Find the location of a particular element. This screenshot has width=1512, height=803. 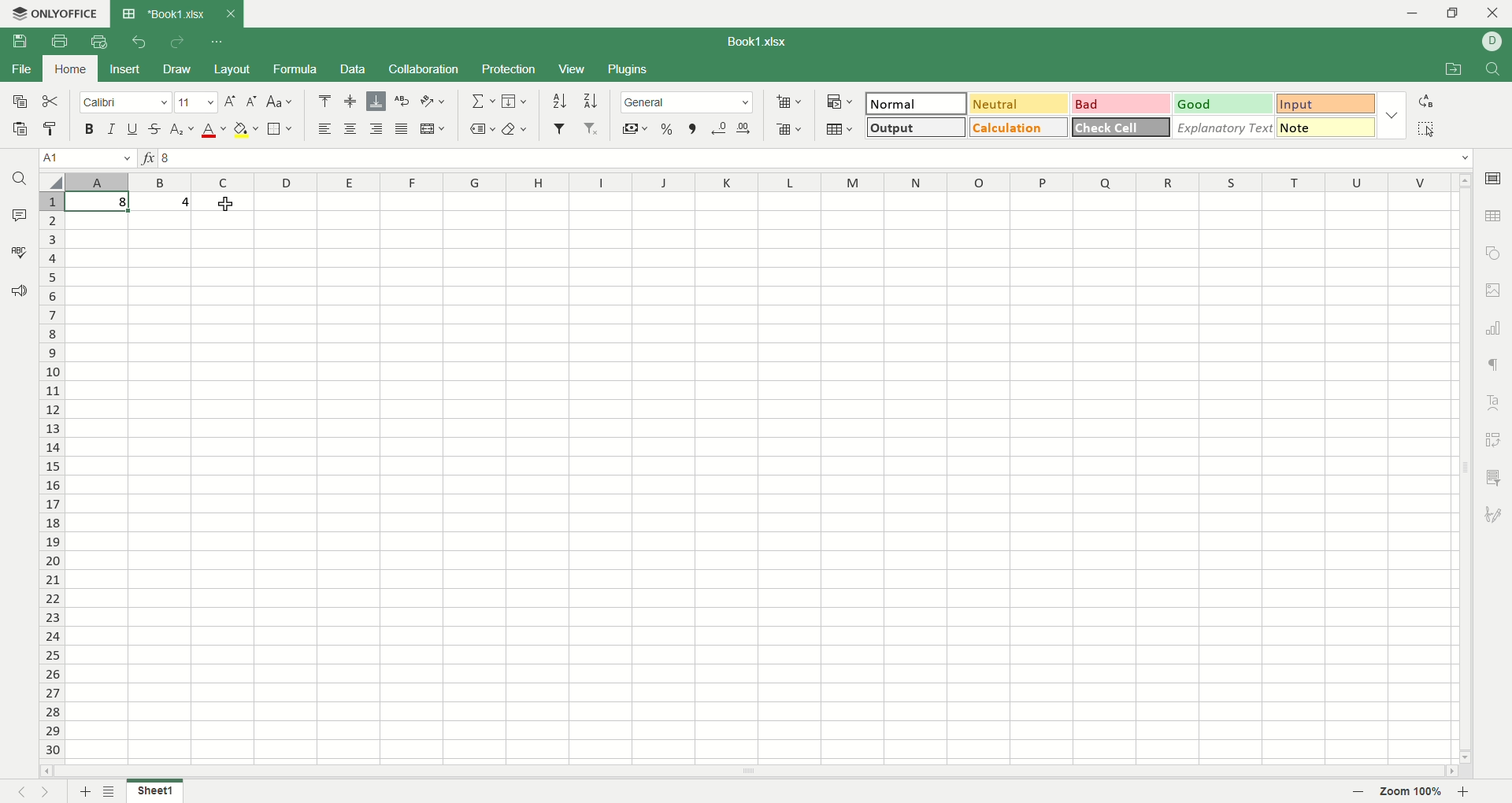

change case is located at coordinates (280, 102).